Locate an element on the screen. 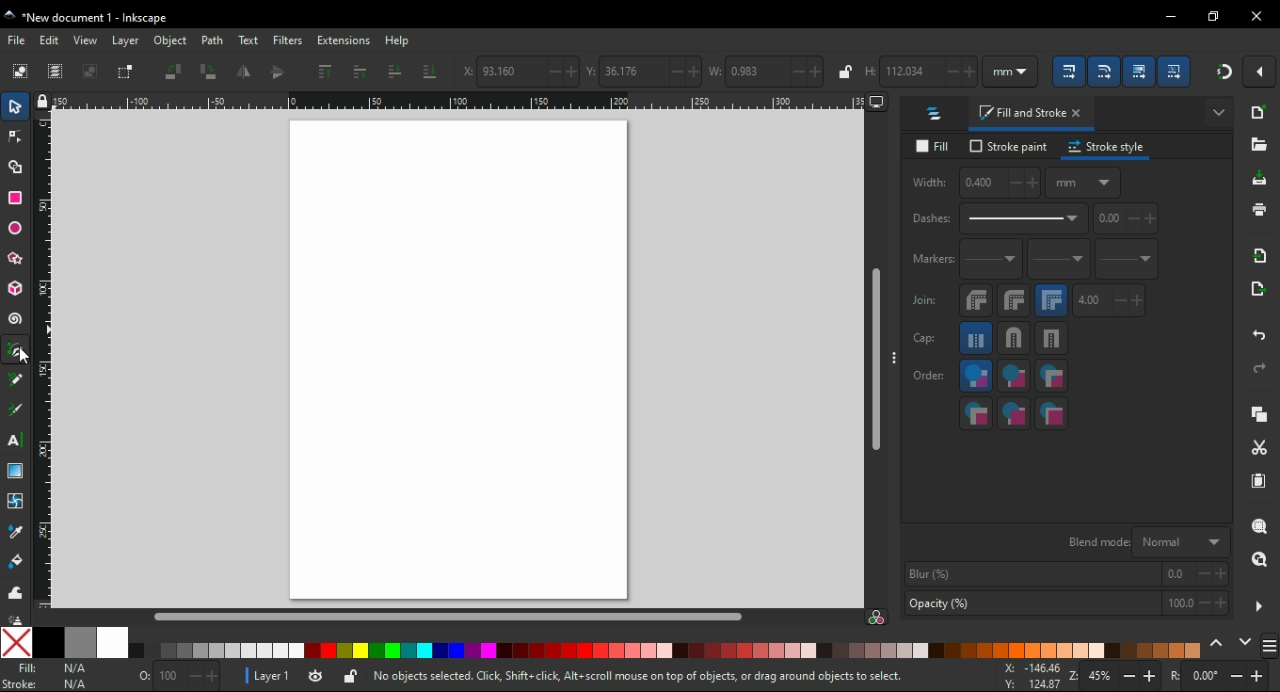 The image size is (1280, 692). filters is located at coordinates (289, 42).